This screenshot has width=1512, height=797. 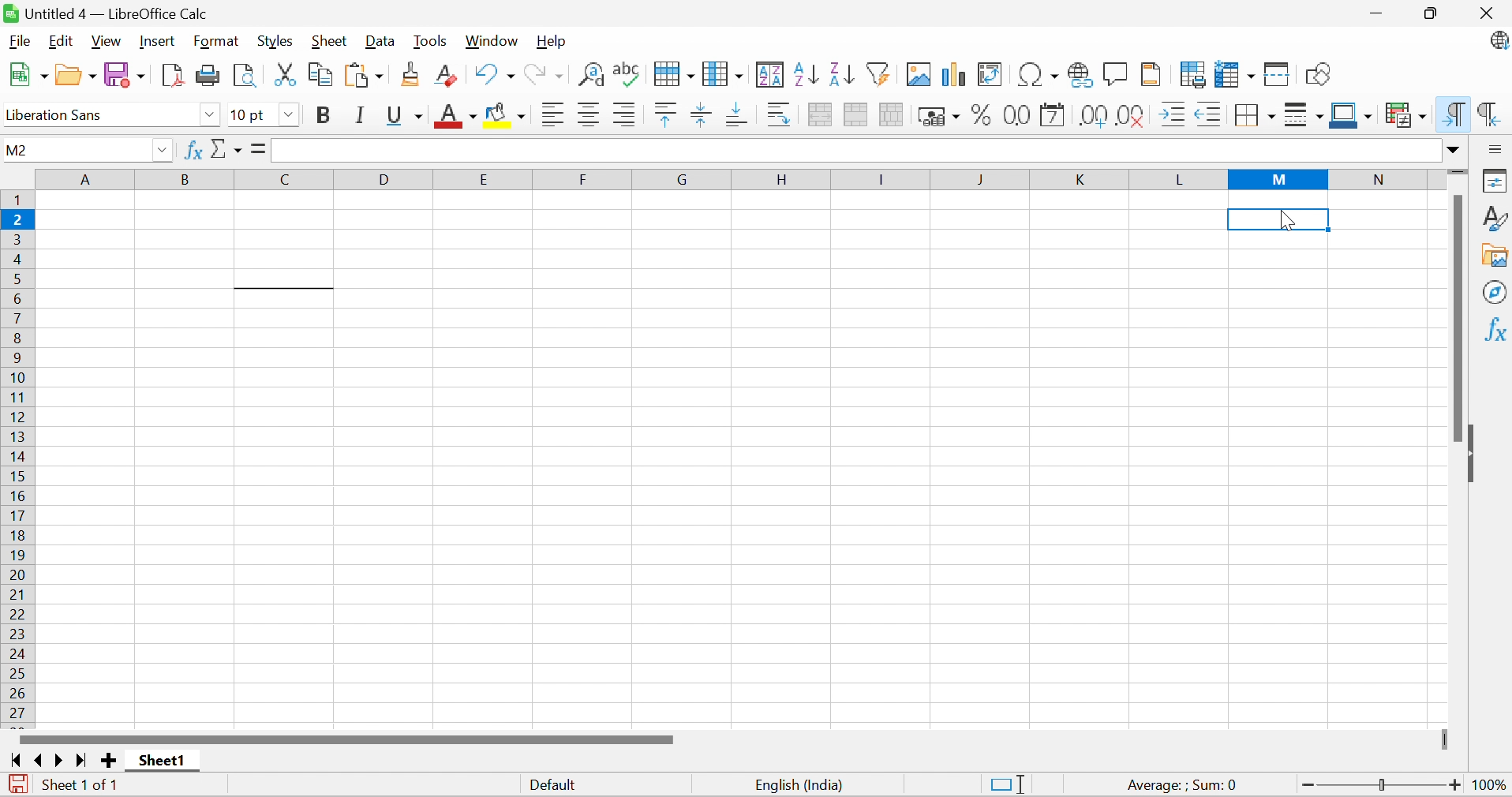 What do you see at coordinates (1496, 179) in the screenshot?
I see `Properties` at bounding box center [1496, 179].